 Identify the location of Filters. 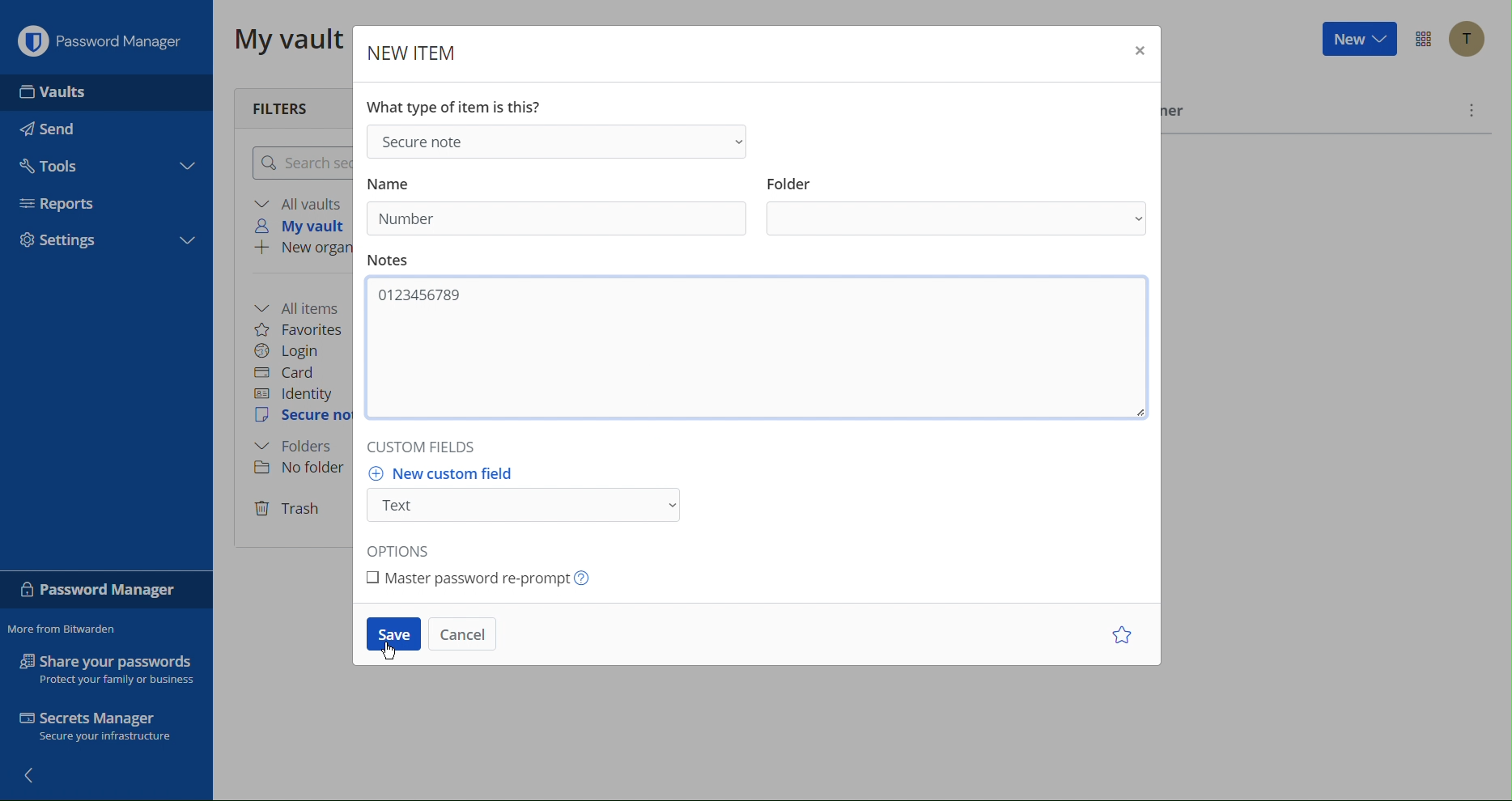
(291, 104).